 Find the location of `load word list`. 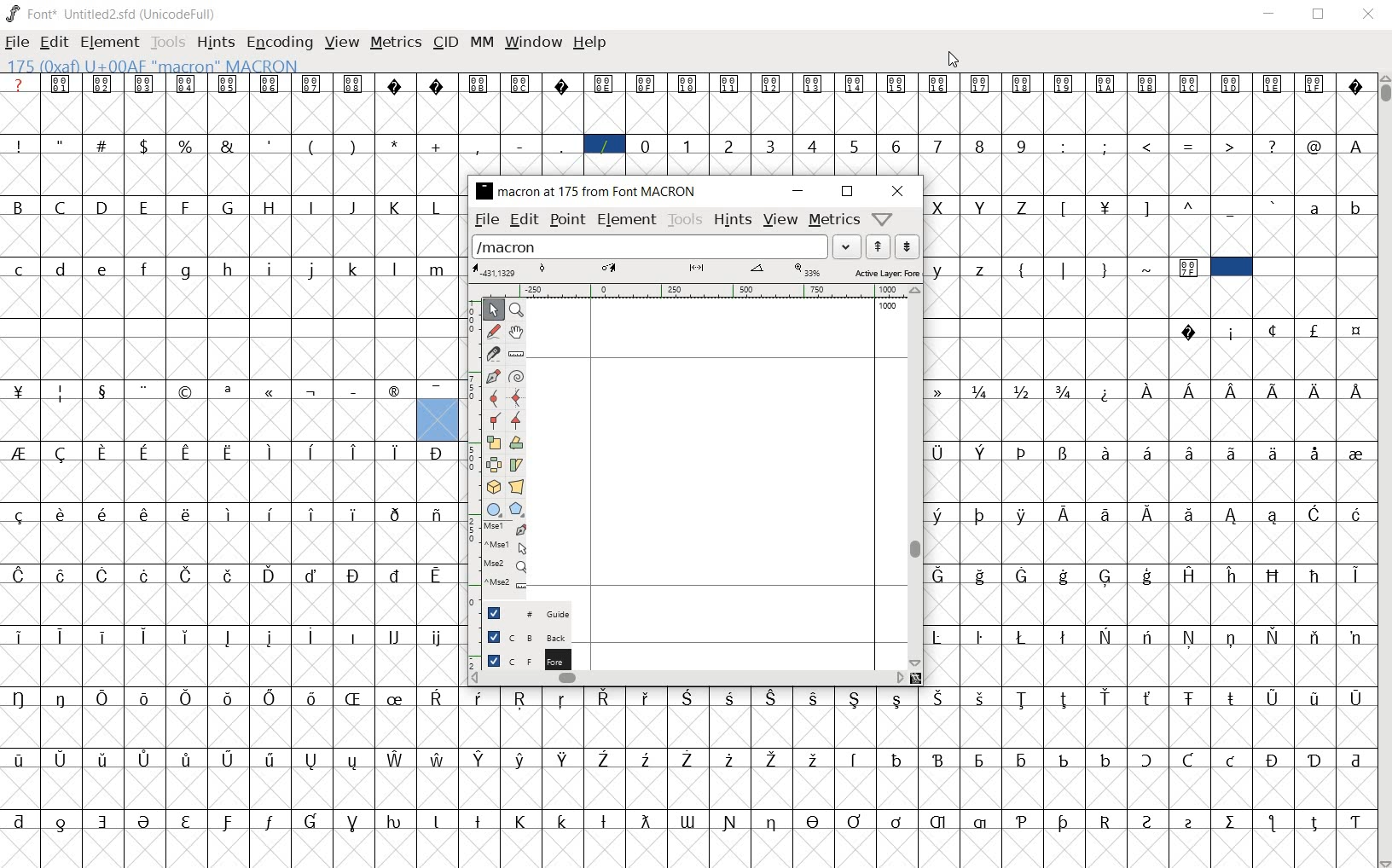

load word list is located at coordinates (647, 246).